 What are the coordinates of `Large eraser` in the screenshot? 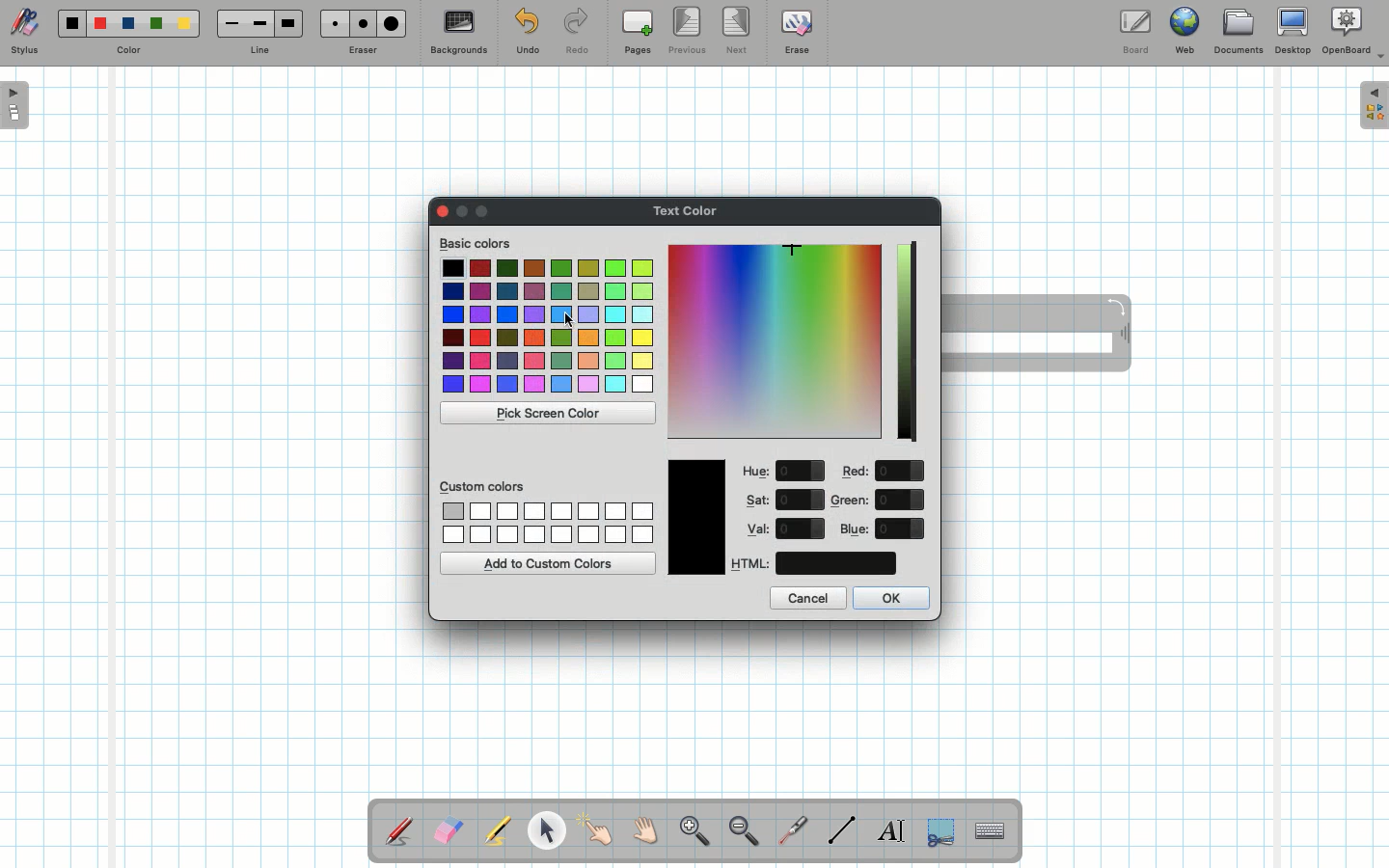 It's located at (392, 23).